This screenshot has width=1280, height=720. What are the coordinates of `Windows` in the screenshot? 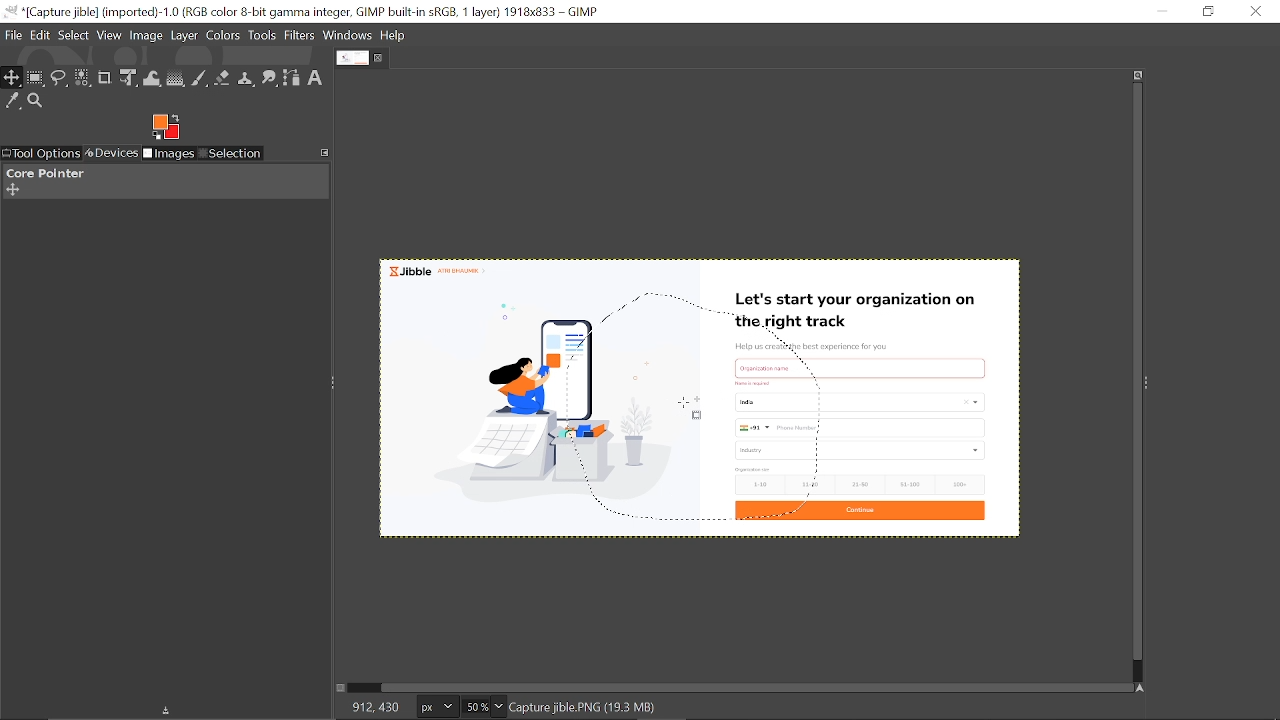 It's located at (347, 35).